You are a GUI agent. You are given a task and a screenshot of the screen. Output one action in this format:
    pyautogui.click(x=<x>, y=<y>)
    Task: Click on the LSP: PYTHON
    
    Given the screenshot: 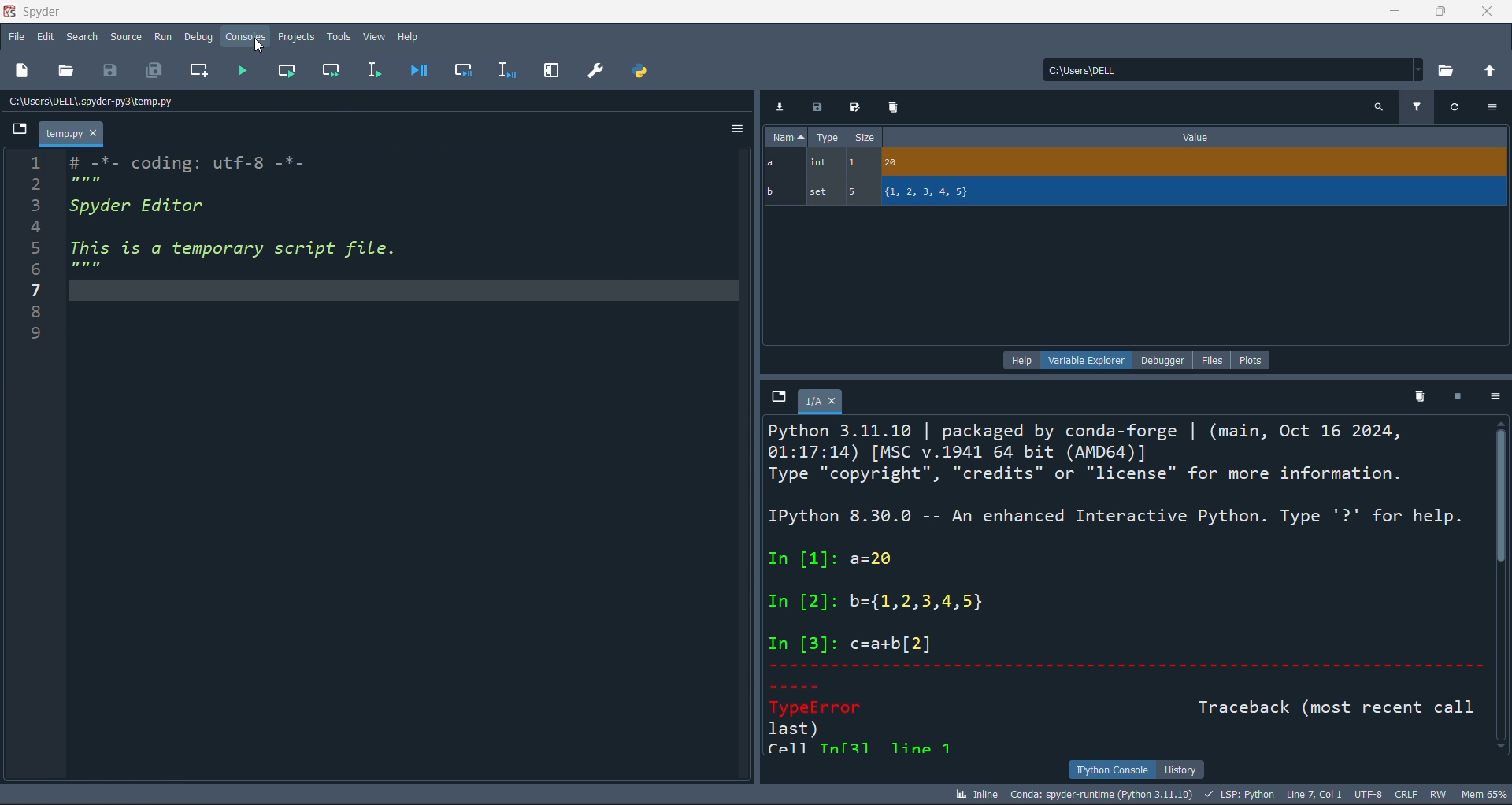 What is the action you would take?
    pyautogui.click(x=1240, y=793)
    